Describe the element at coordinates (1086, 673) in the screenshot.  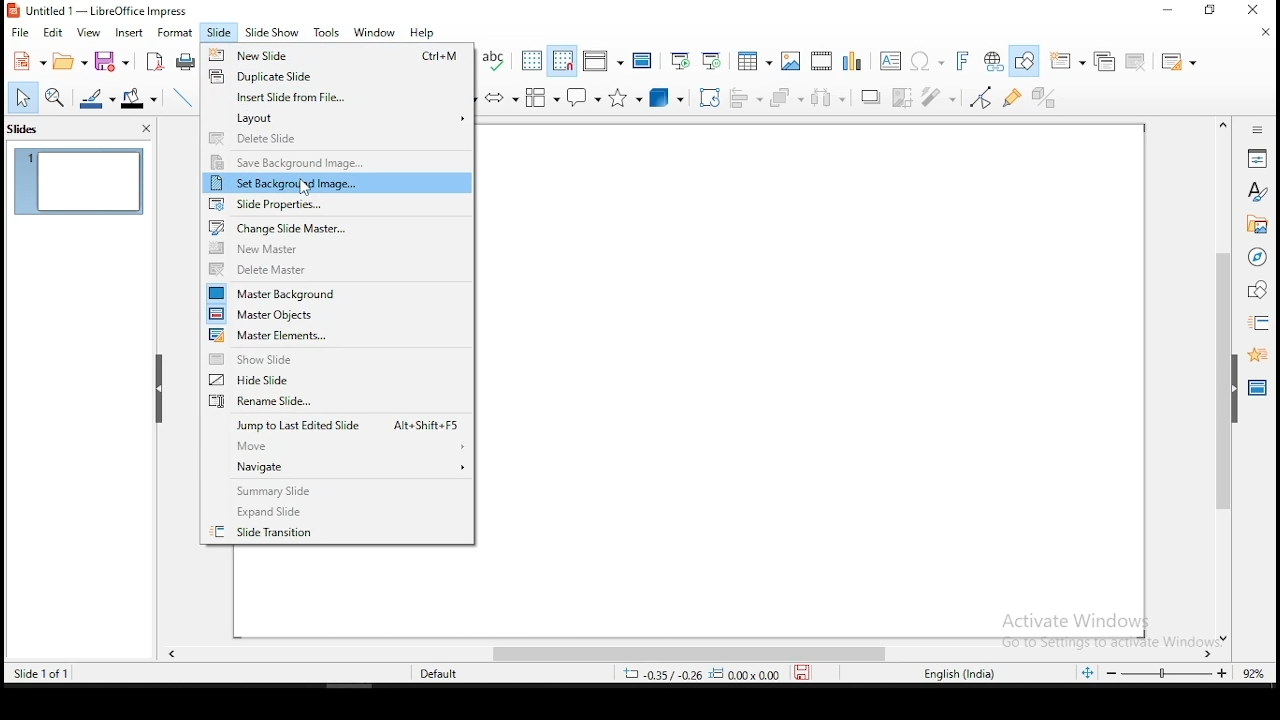
I see `fit to slide` at that location.